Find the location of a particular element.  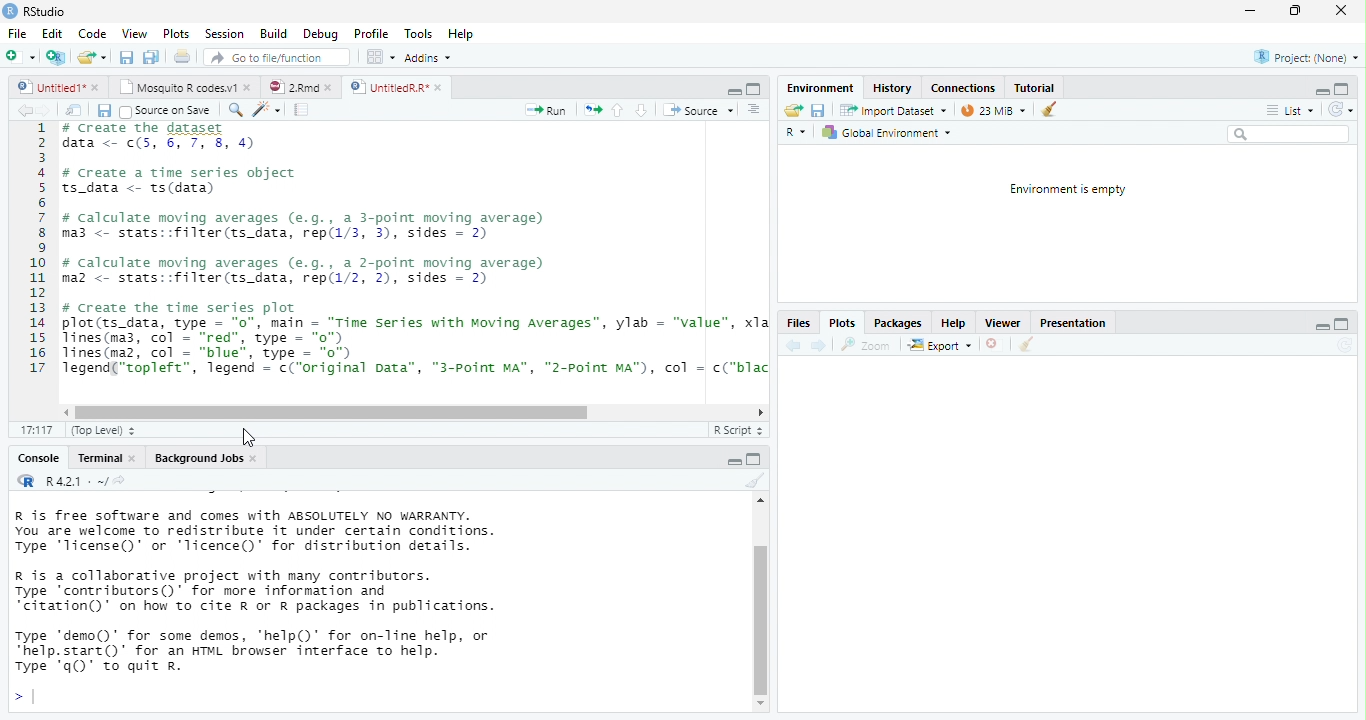

maximize is located at coordinates (735, 462).